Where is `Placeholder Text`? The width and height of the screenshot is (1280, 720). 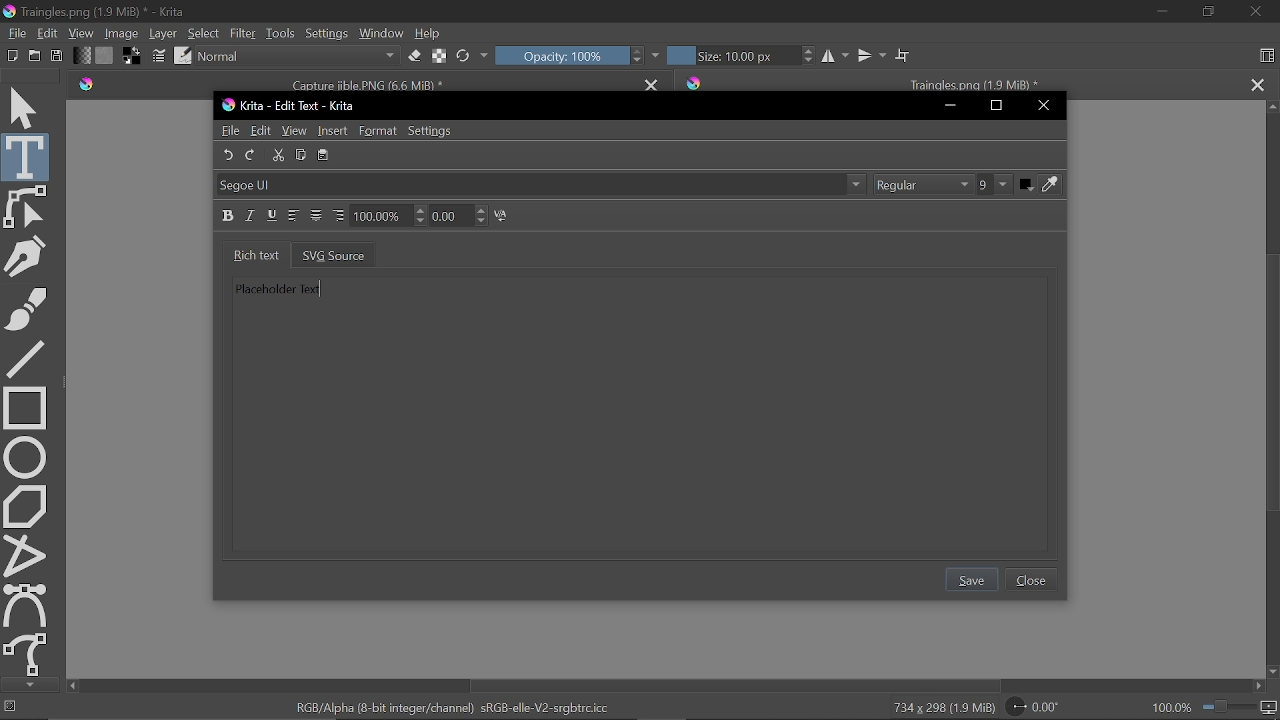
Placeholder Text is located at coordinates (332, 322).